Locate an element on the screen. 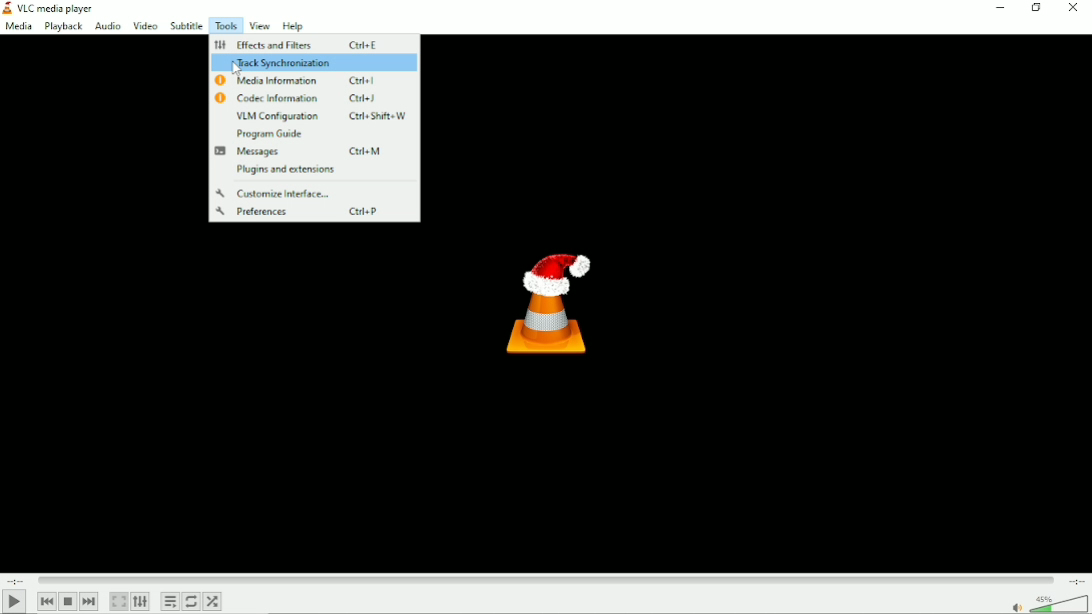 Image resolution: width=1092 pixels, height=614 pixels. Restore down is located at coordinates (1035, 8).